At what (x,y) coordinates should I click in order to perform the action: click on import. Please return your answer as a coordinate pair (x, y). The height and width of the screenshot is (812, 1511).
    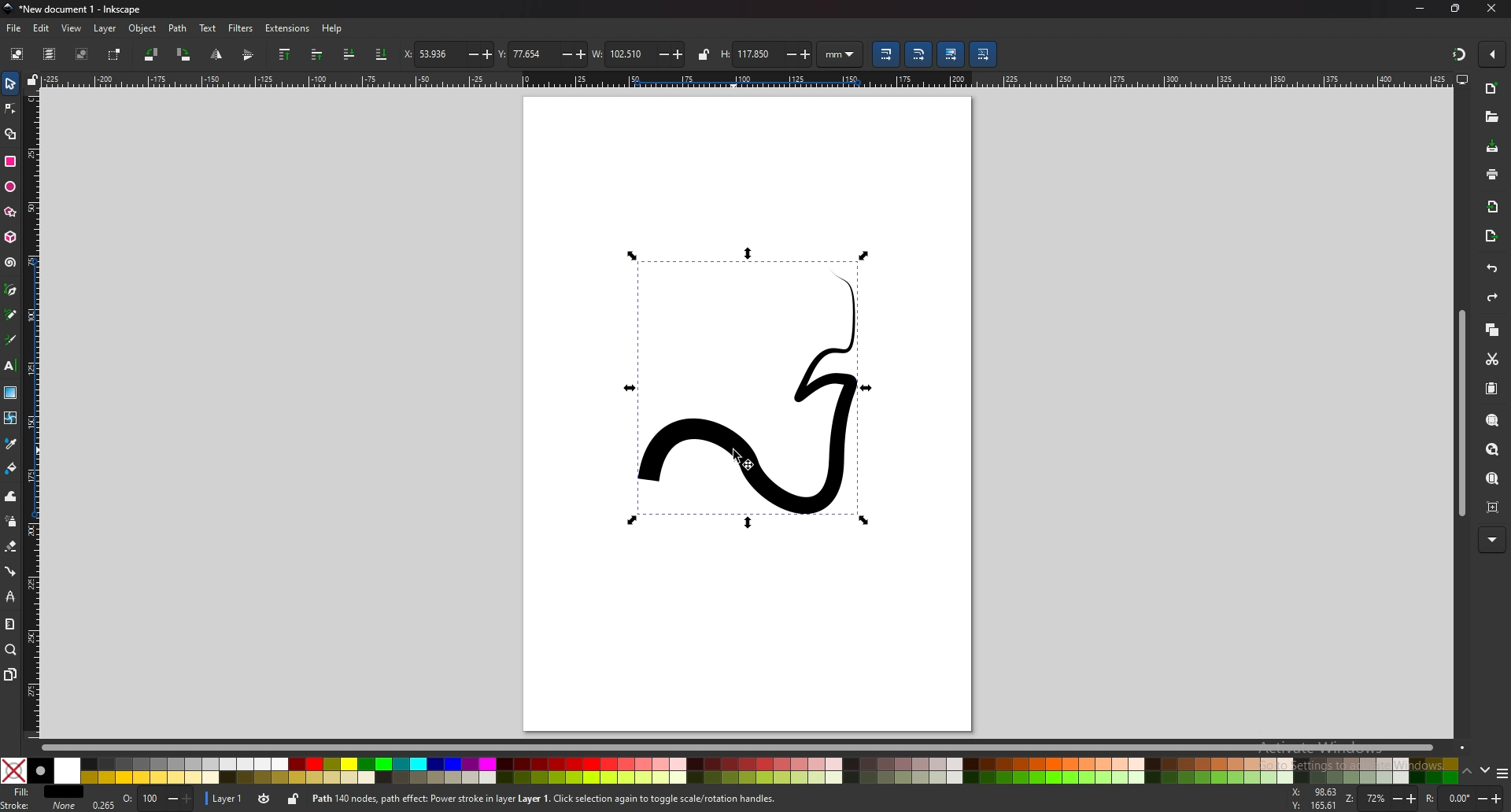
    Looking at the image, I should click on (1492, 208).